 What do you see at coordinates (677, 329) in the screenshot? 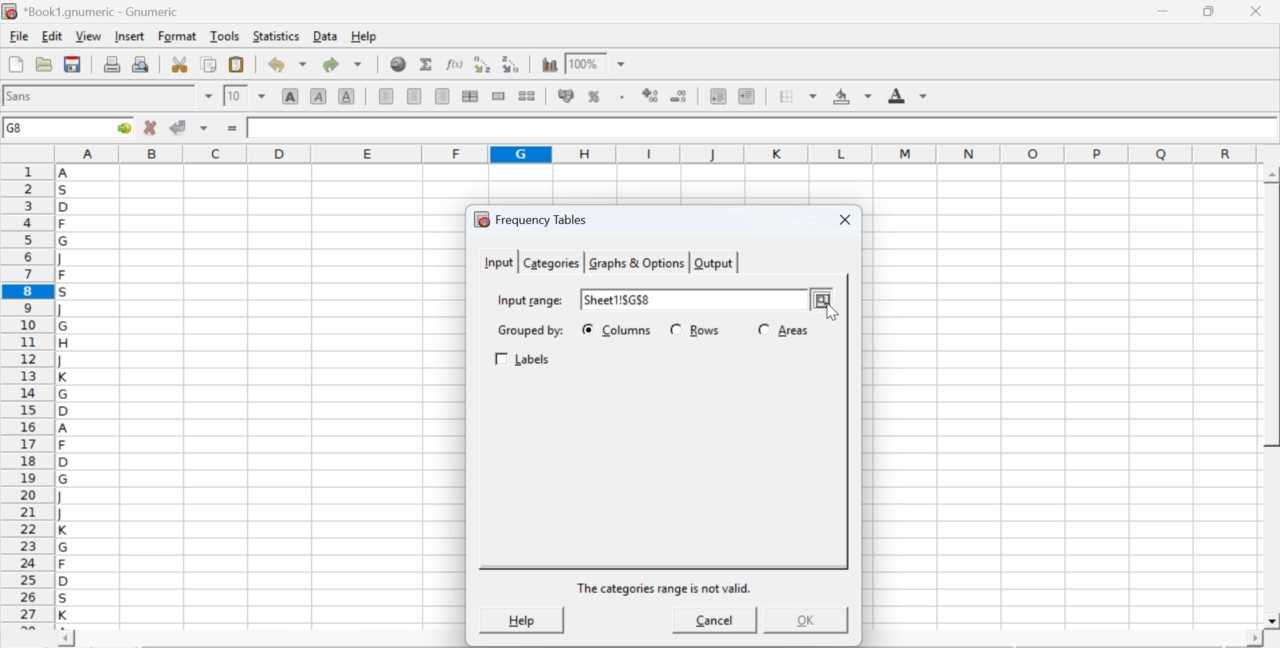
I see `checkbox` at bounding box center [677, 329].